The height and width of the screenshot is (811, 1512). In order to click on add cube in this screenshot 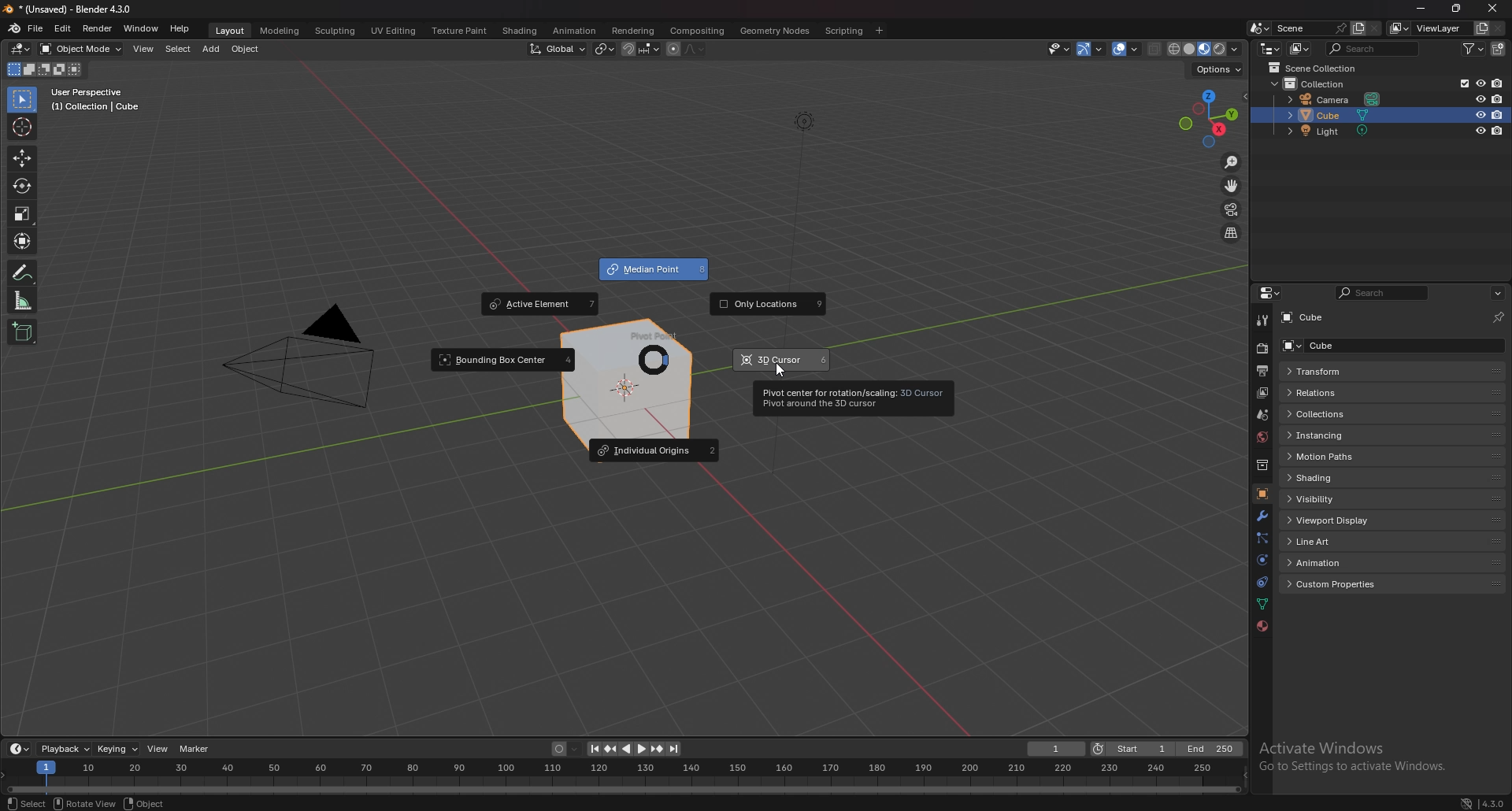, I will do `click(22, 331)`.